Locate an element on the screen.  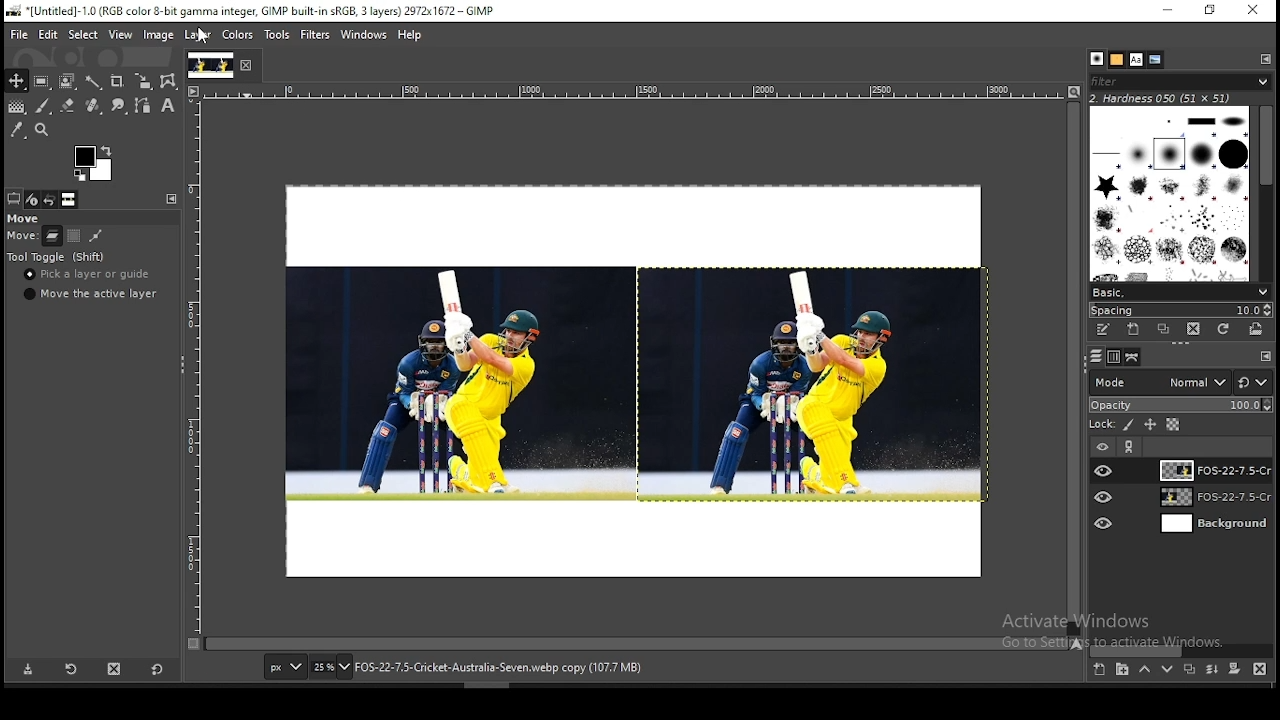
brushes is located at coordinates (1097, 59).